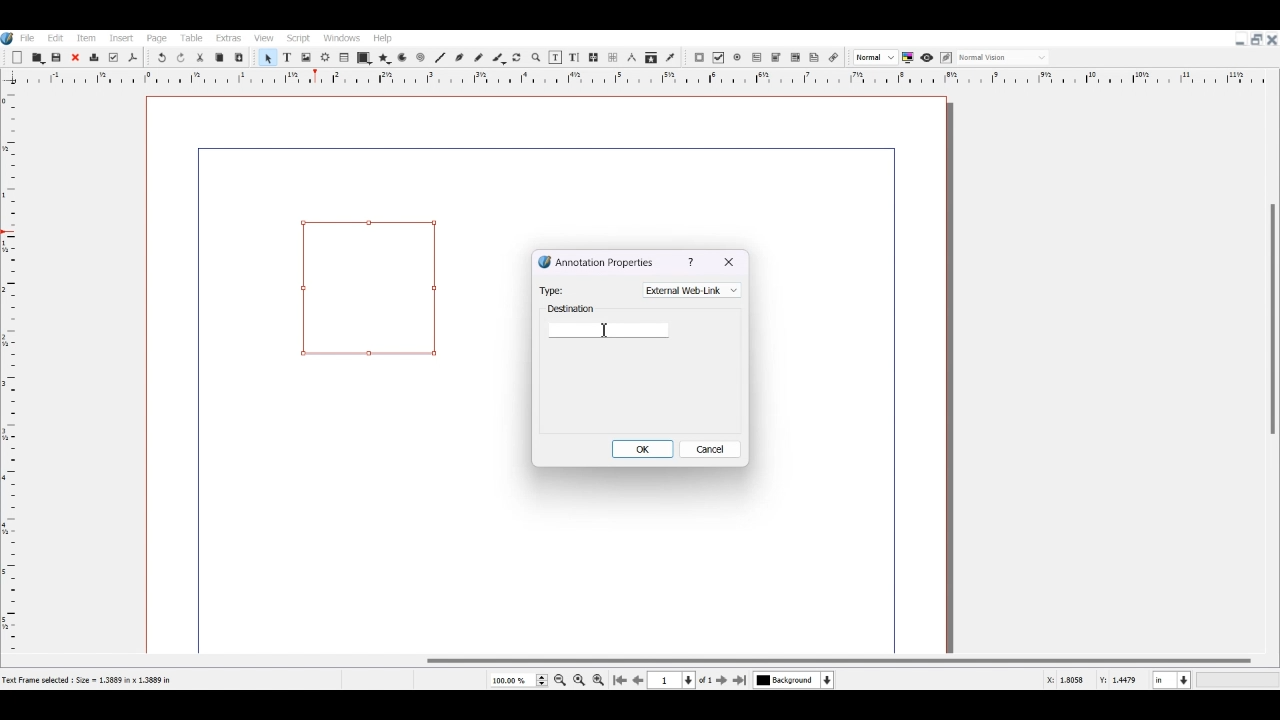 The width and height of the screenshot is (1280, 720). What do you see at coordinates (343, 37) in the screenshot?
I see `Windows` at bounding box center [343, 37].